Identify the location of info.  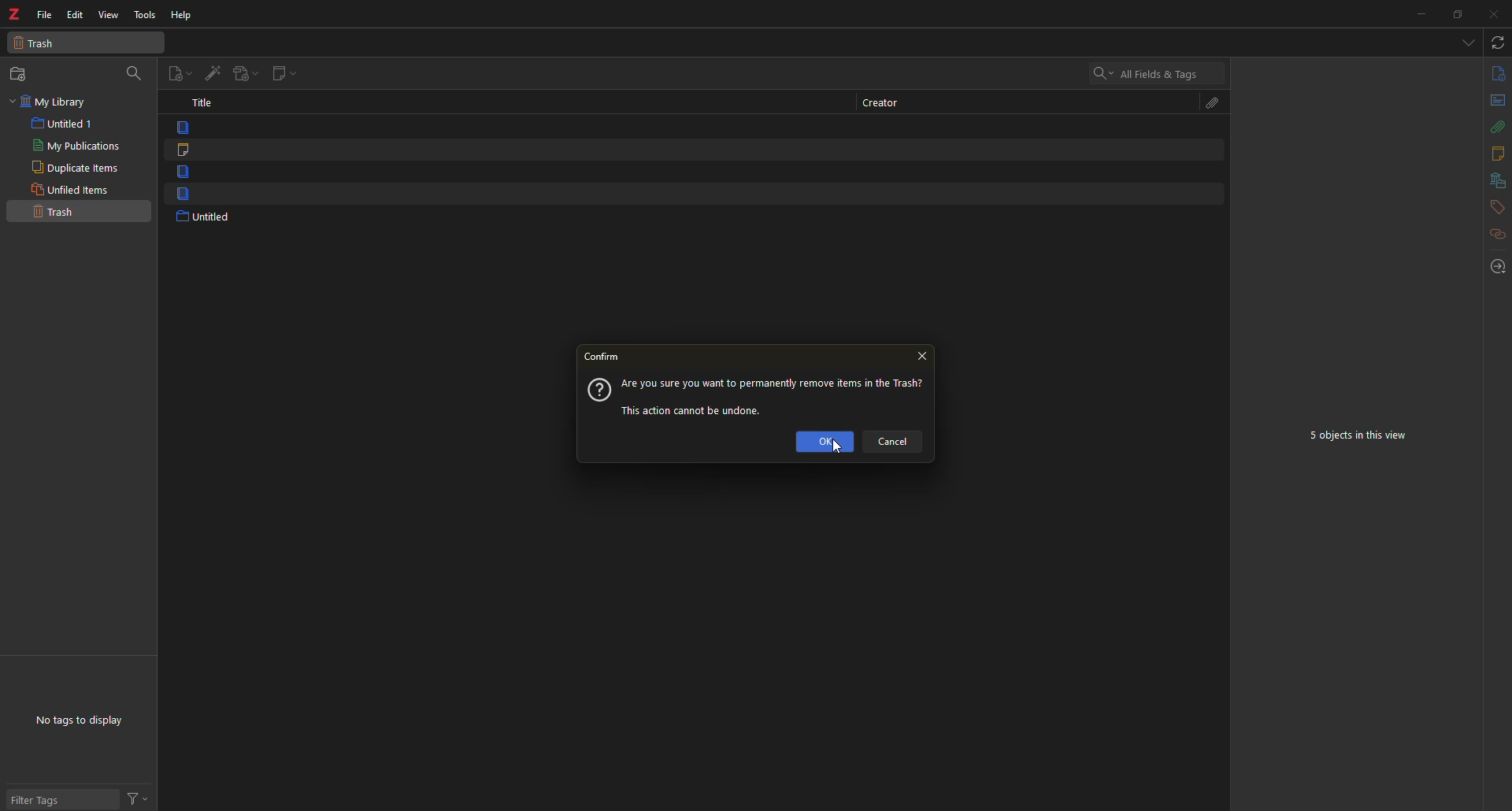
(1498, 74).